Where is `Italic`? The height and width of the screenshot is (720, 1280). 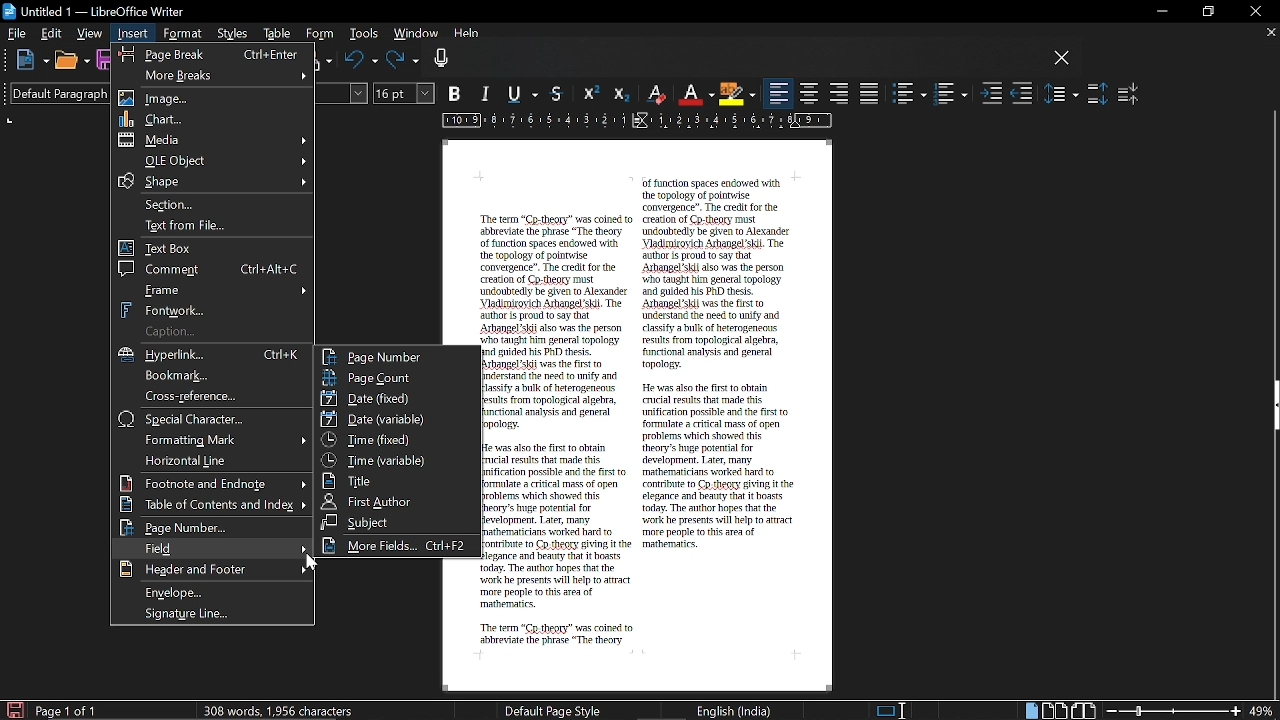
Italic is located at coordinates (487, 95).